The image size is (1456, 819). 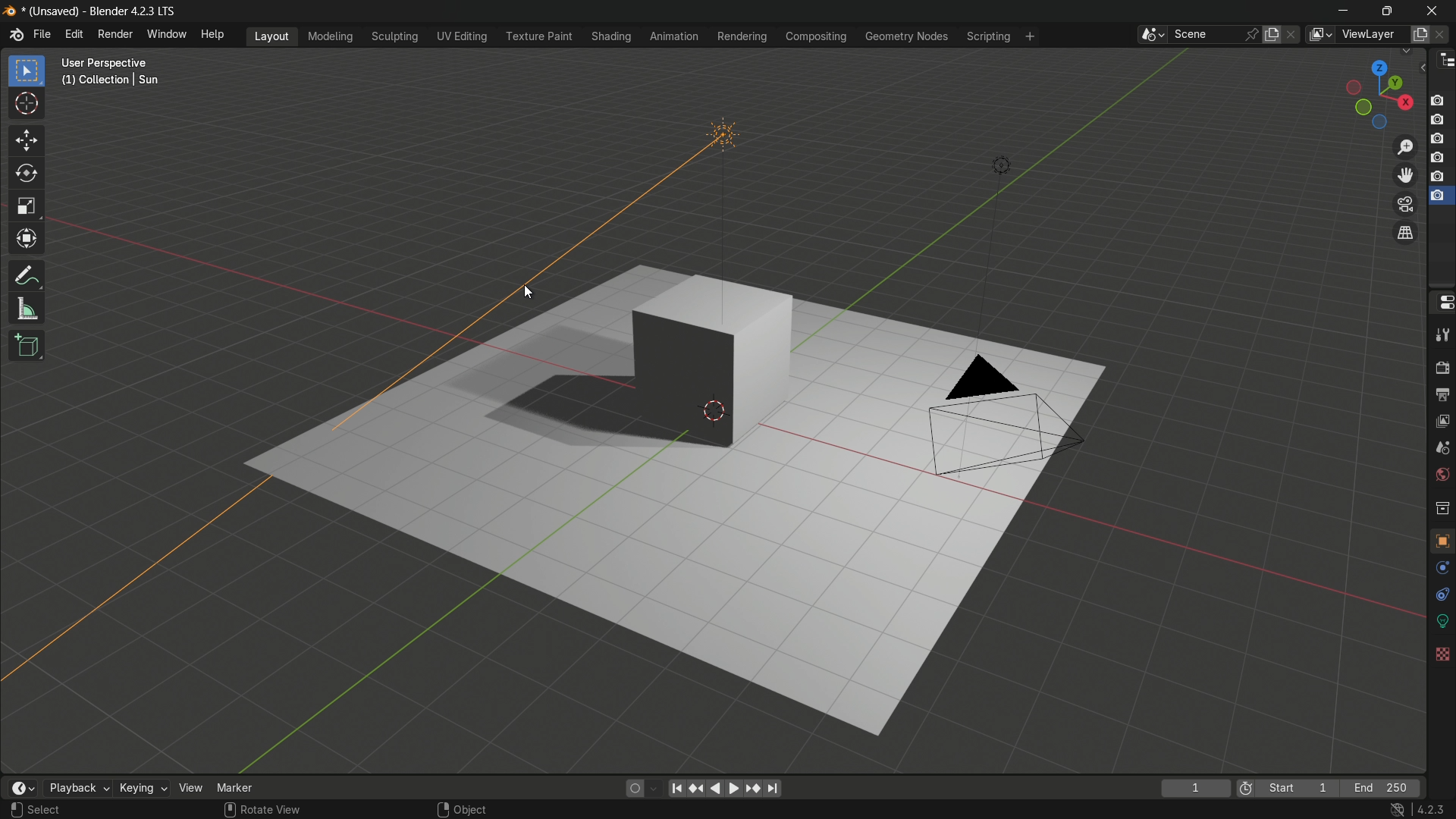 What do you see at coordinates (45, 810) in the screenshot?
I see `Select` at bounding box center [45, 810].